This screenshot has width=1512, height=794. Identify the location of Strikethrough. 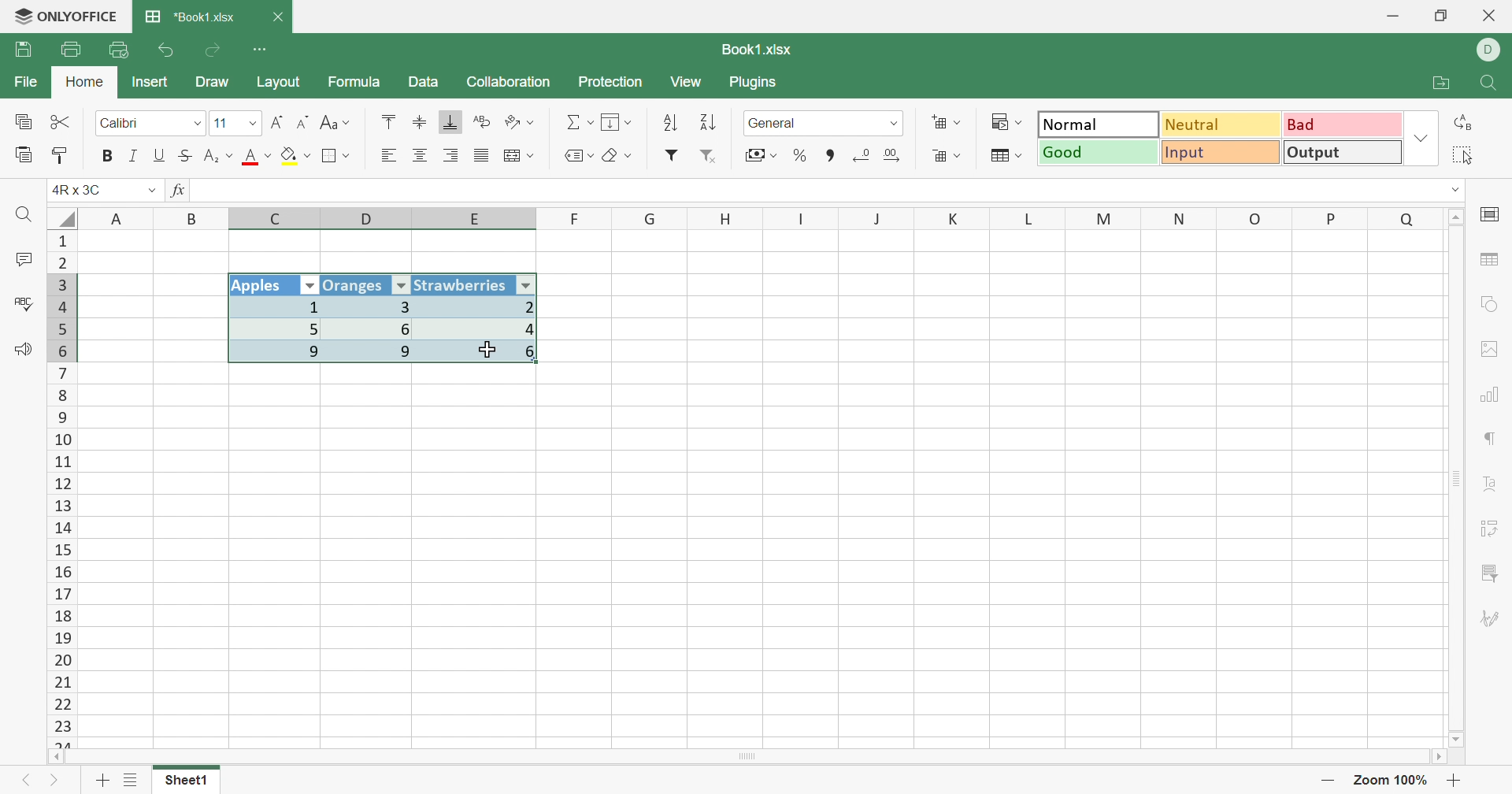
(188, 155).